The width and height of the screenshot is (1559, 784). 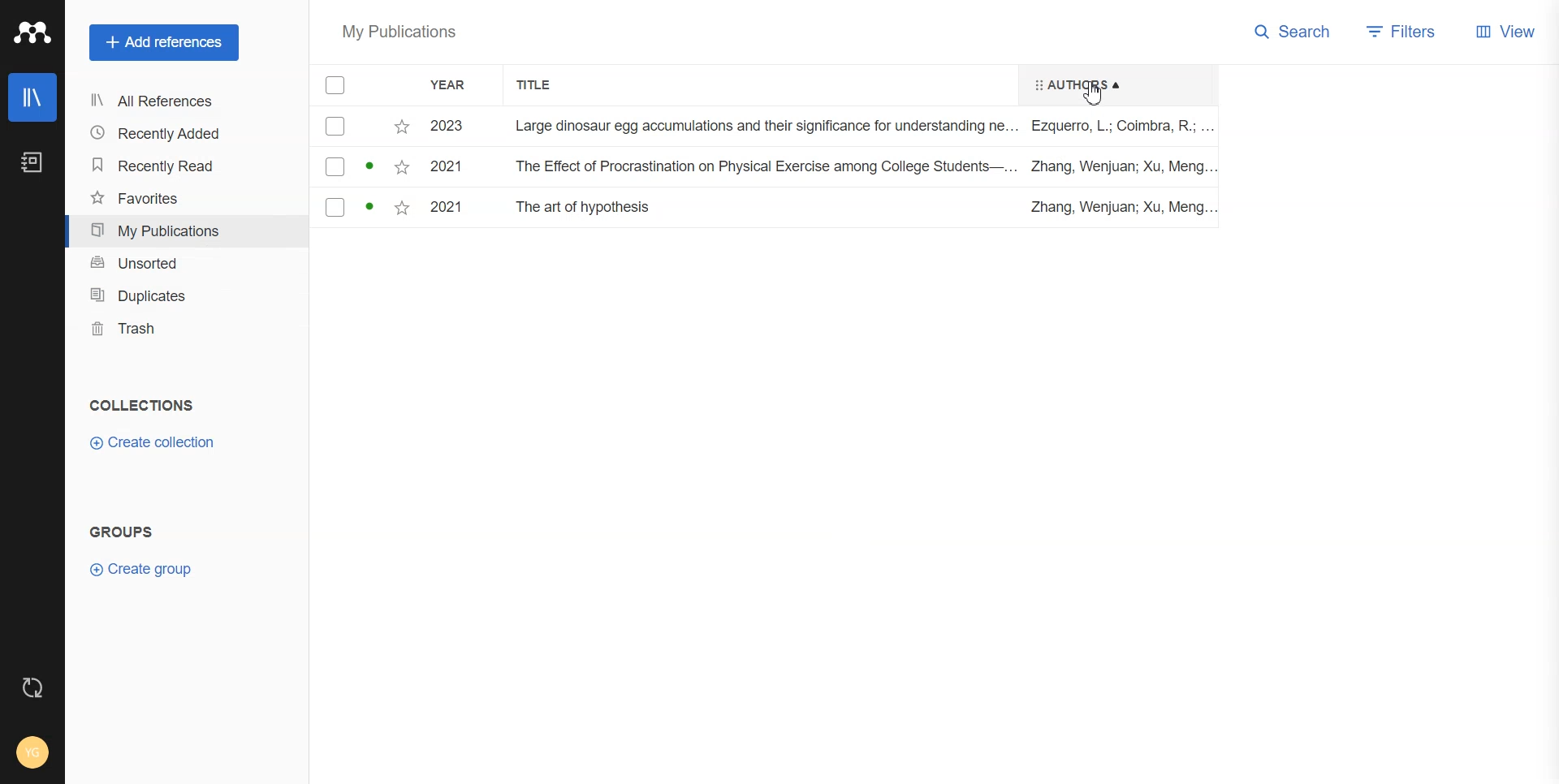 What do you see at coordinates (184, 296) in the screenshot?
I see `Duplicates` at bounding box center [184, 296].